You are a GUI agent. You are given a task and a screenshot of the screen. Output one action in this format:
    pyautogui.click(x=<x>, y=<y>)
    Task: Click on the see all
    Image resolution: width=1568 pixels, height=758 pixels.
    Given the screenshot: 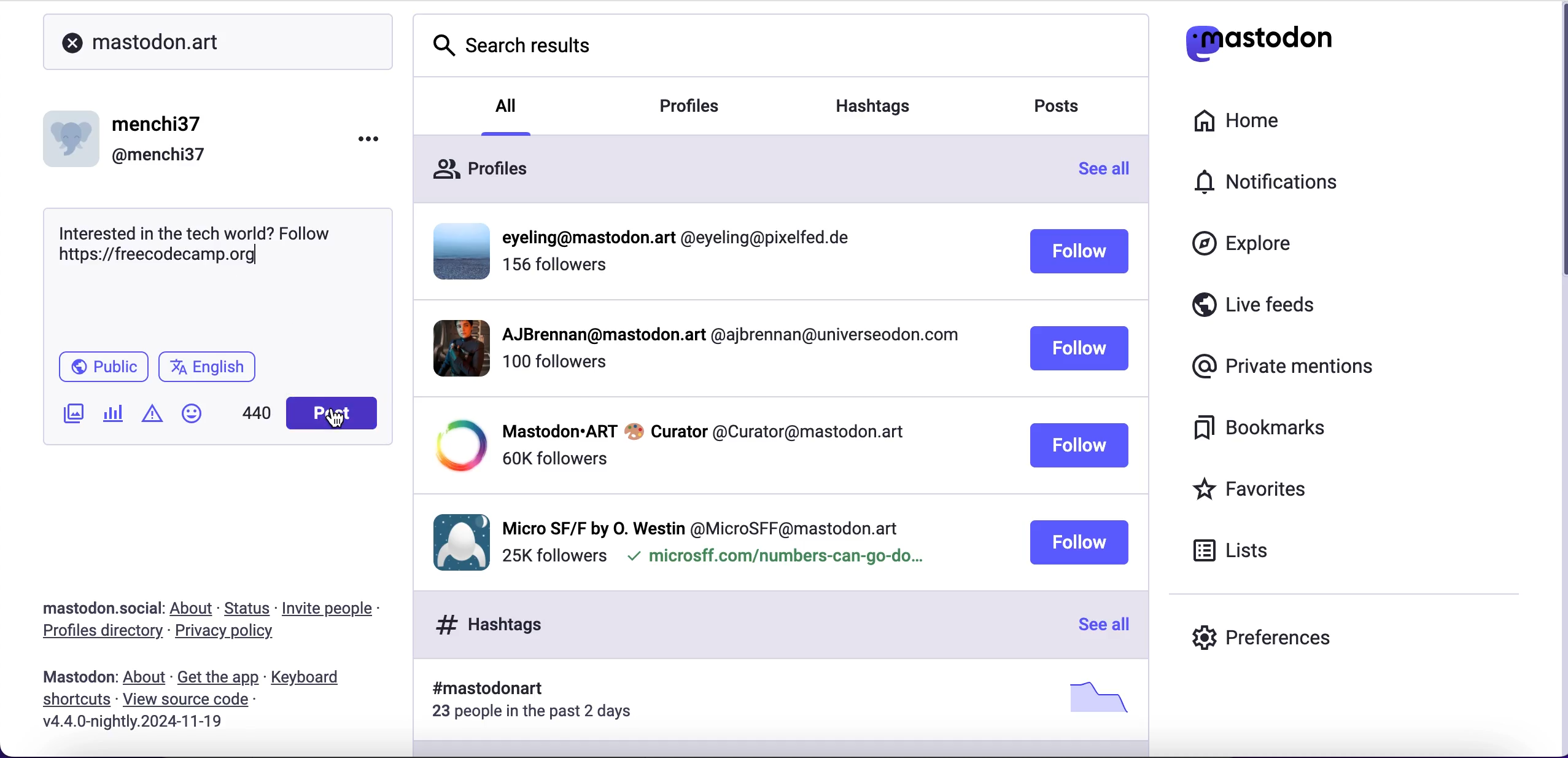 What is the action you would take?
    pyautogui.click(x=1113, y=175)
    